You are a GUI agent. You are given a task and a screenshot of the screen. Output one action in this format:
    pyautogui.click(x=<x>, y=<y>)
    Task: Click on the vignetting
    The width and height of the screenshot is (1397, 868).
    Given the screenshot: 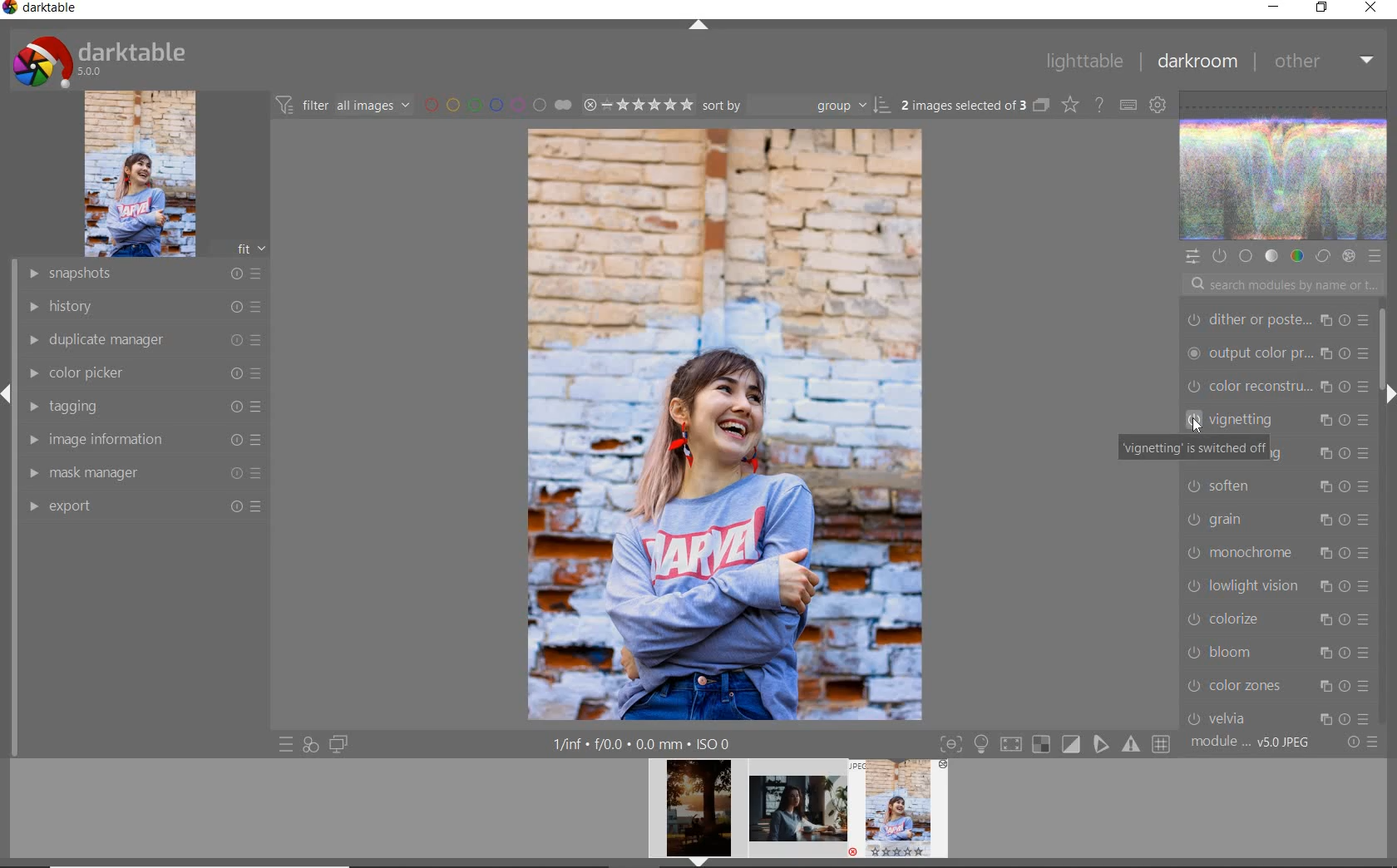 What is the action you would take?
    pyautogui.click(x=1274, y=417)
    